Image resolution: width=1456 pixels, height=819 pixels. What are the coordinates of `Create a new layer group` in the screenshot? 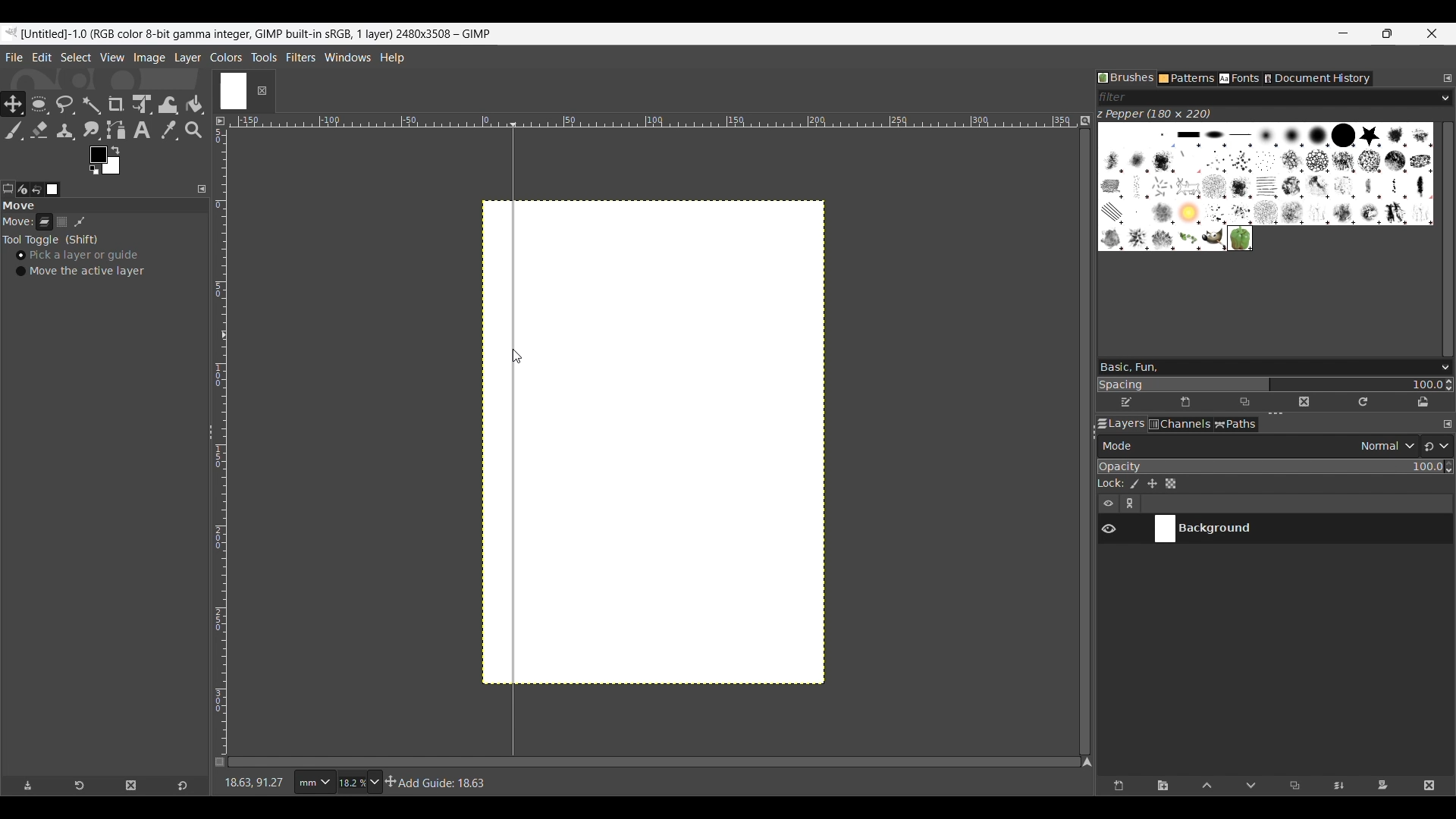 It's located at (1164, 786).